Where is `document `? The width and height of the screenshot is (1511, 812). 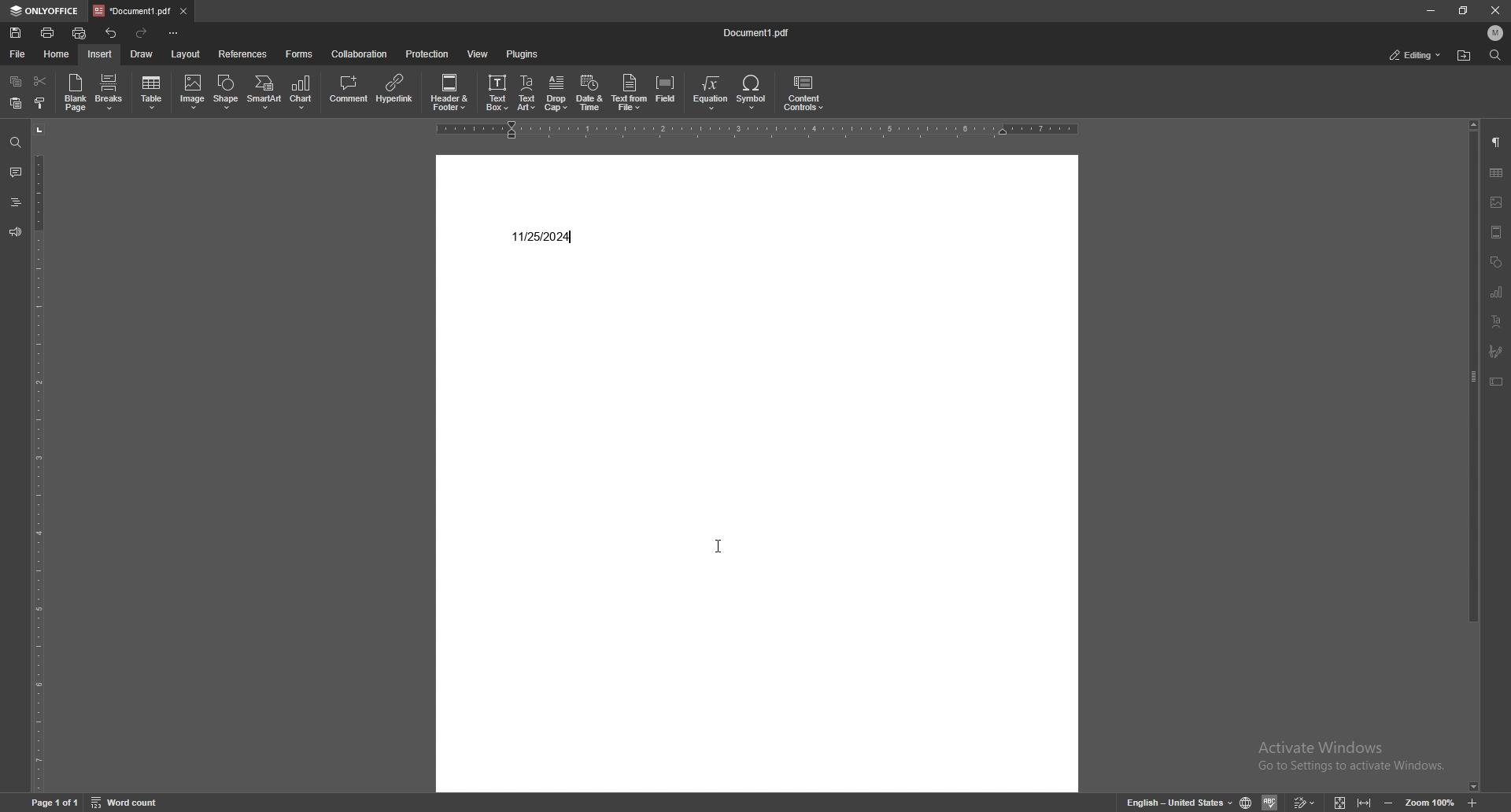
document  is located at coordinates (760, 537).